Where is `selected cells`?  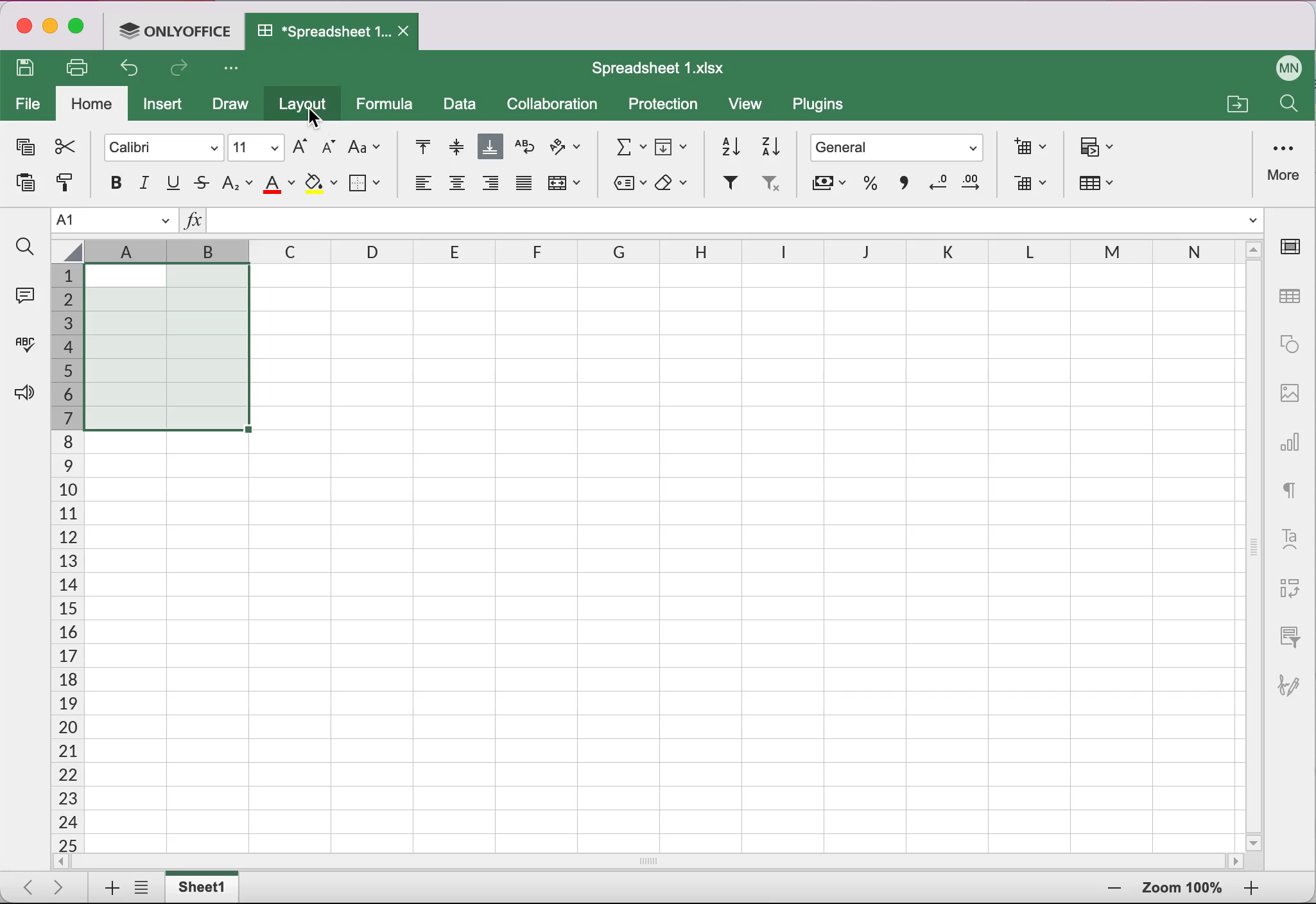 selected cells is located at coordinates (165, 346).